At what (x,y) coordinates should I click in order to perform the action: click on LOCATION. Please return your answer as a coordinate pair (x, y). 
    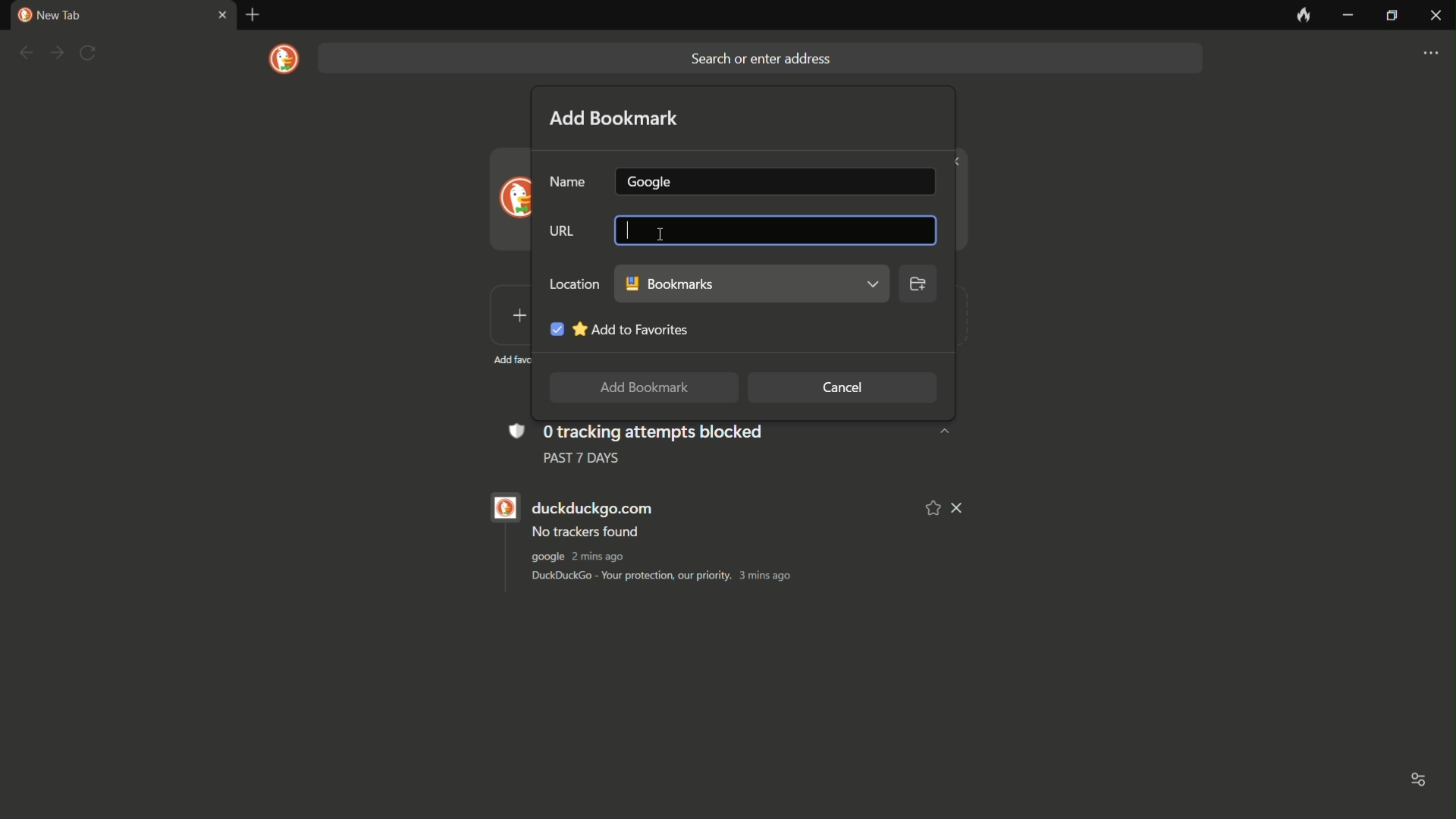
    Looking at the image, I should click on (573, 283).